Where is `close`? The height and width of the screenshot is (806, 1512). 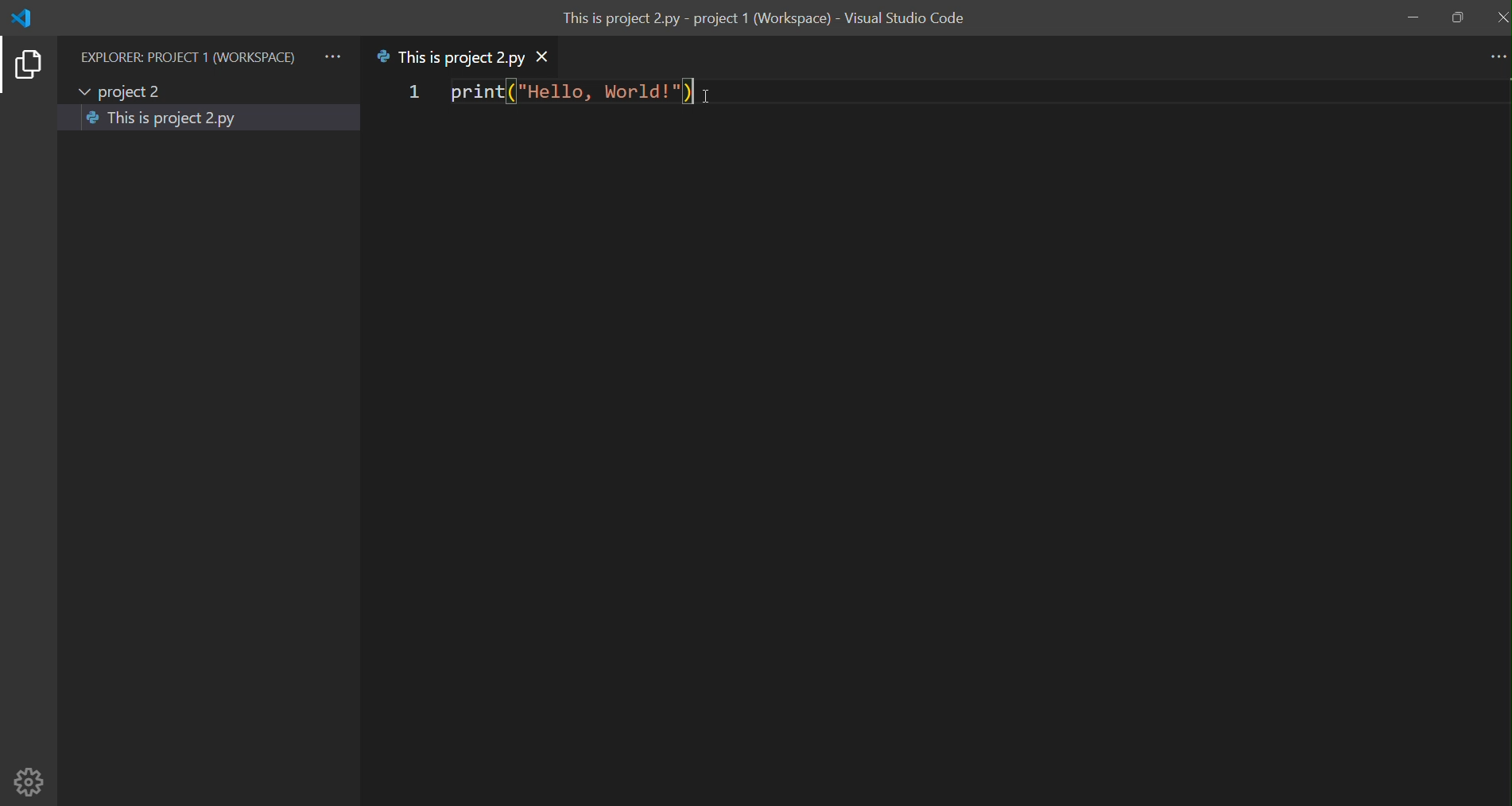 close is located at coordinates (1500, 16).